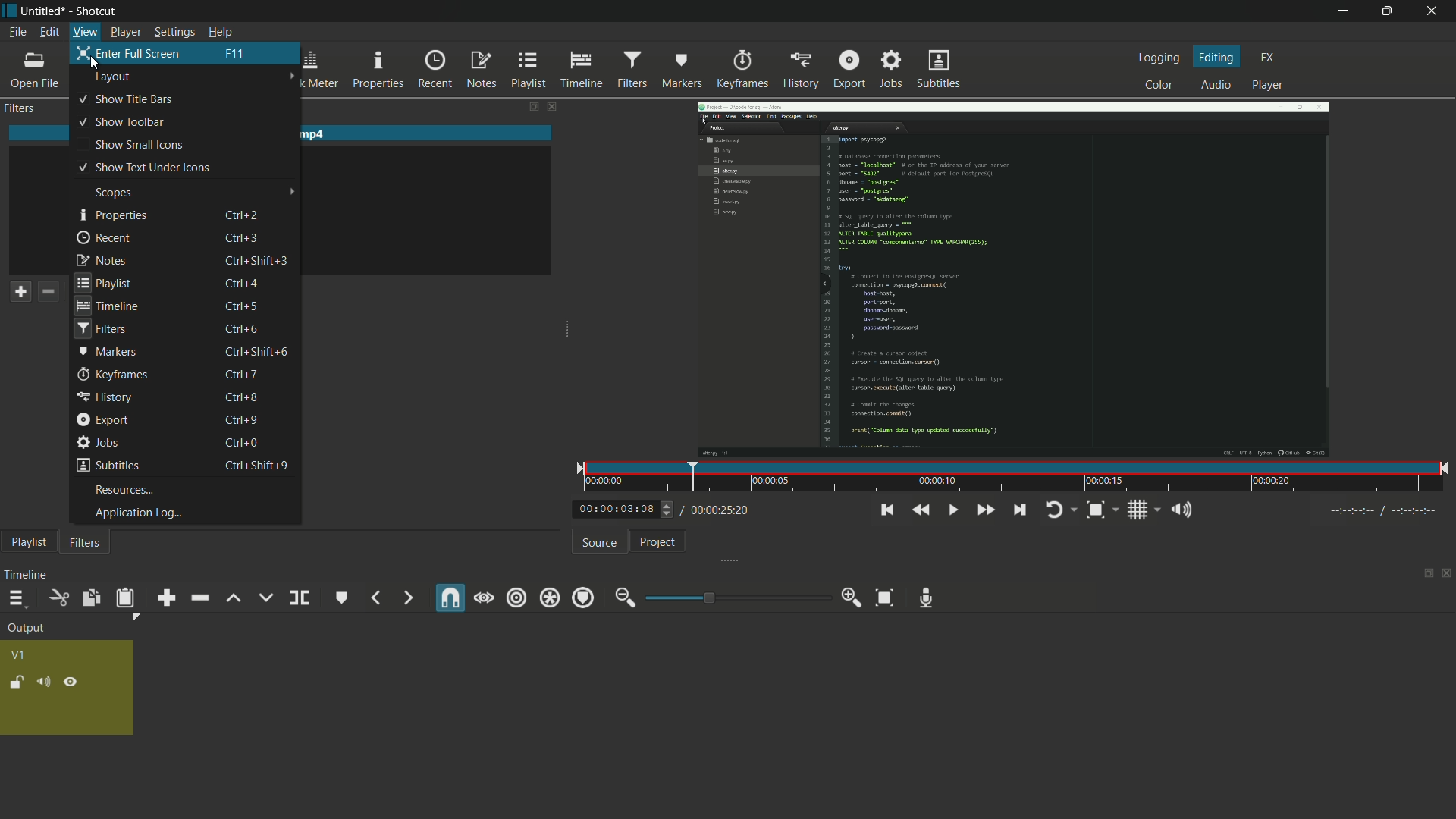 The image size is (1456, 819). I want to click on timeline, so click(579, 67).